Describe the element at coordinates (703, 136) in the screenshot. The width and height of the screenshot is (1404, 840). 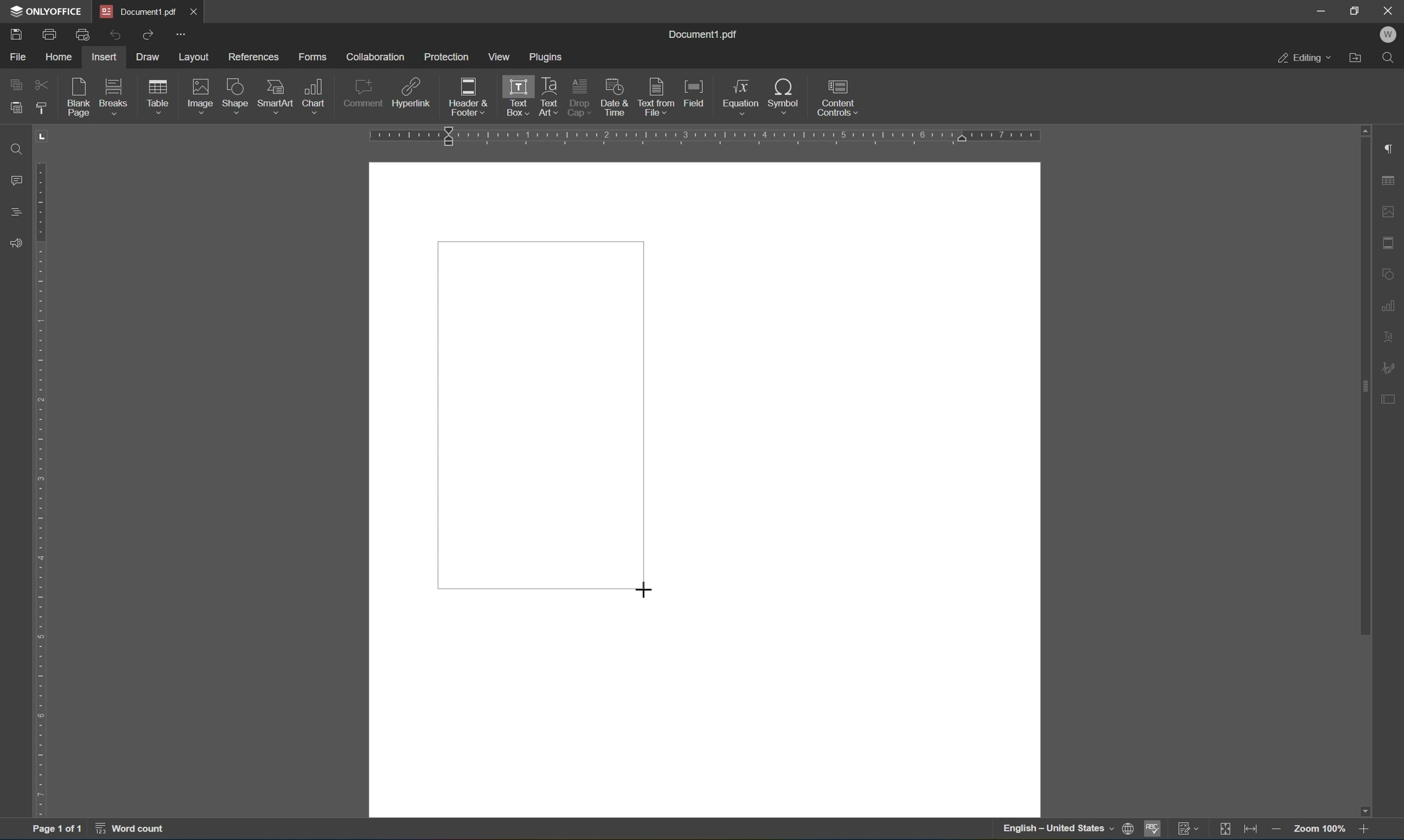
I see `ruler` at that location.